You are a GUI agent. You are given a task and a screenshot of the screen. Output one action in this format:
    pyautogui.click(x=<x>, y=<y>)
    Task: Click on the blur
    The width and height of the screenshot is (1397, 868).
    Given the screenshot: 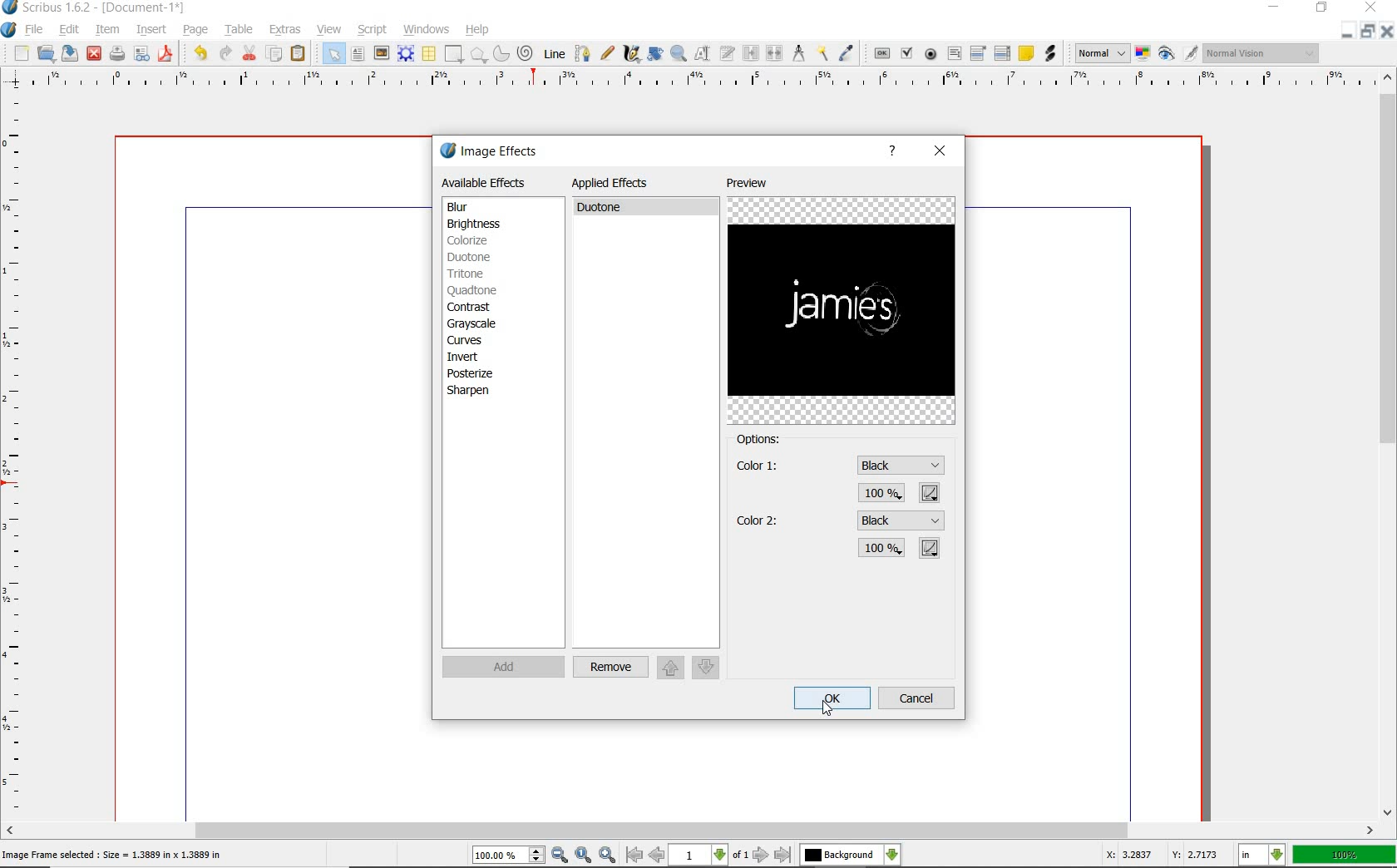 What is the action you would take?
    pyautogui.click(x=458, y=207)
    